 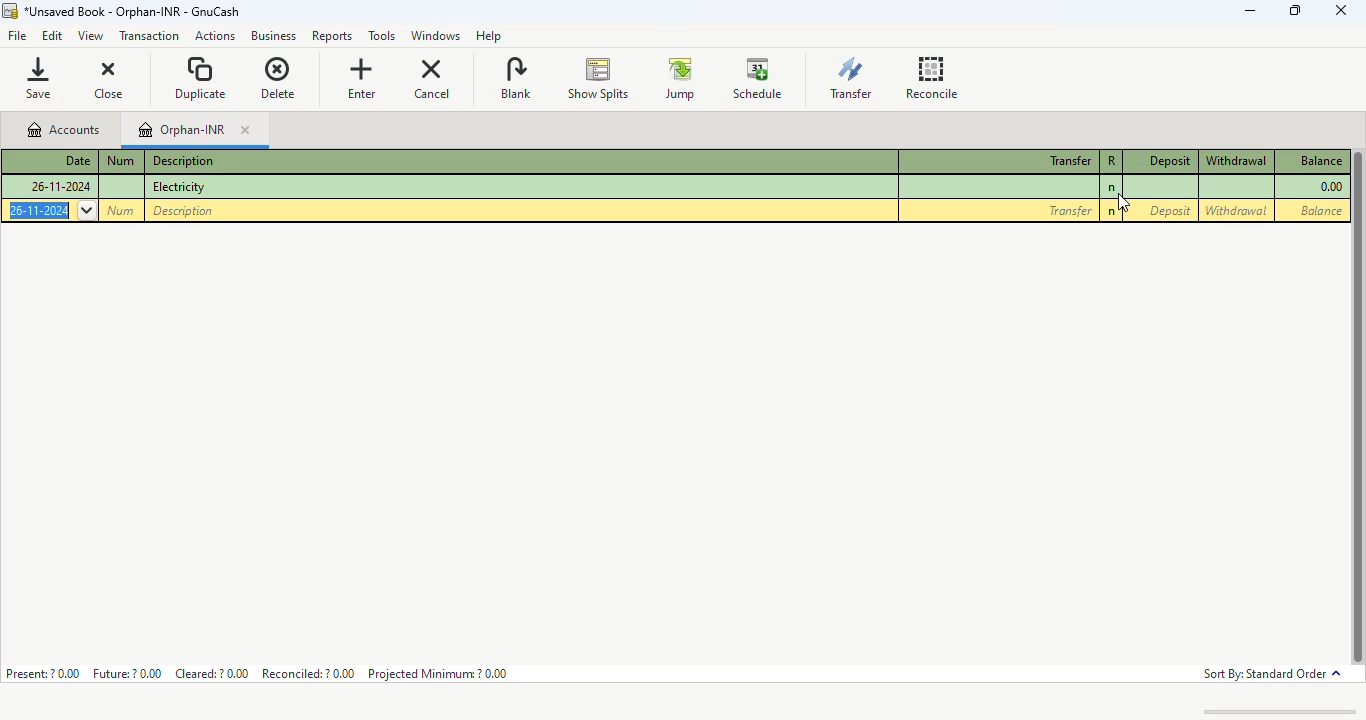 What do you see at coordinates (1070, 161) in the screenshot?
I see `transfer` at bounding box center [1070, 161].